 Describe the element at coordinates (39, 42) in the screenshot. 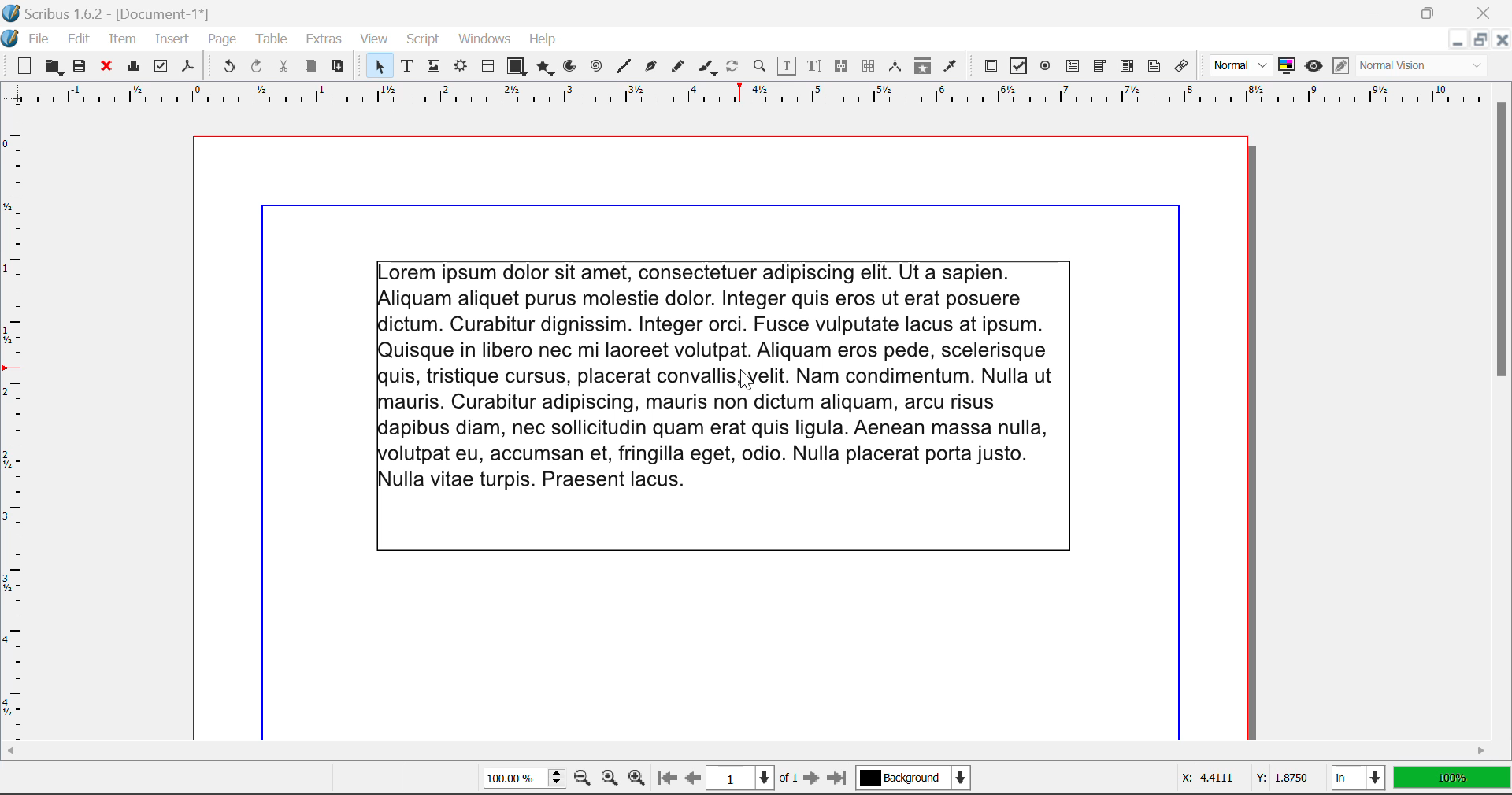

I see `File` at that location.